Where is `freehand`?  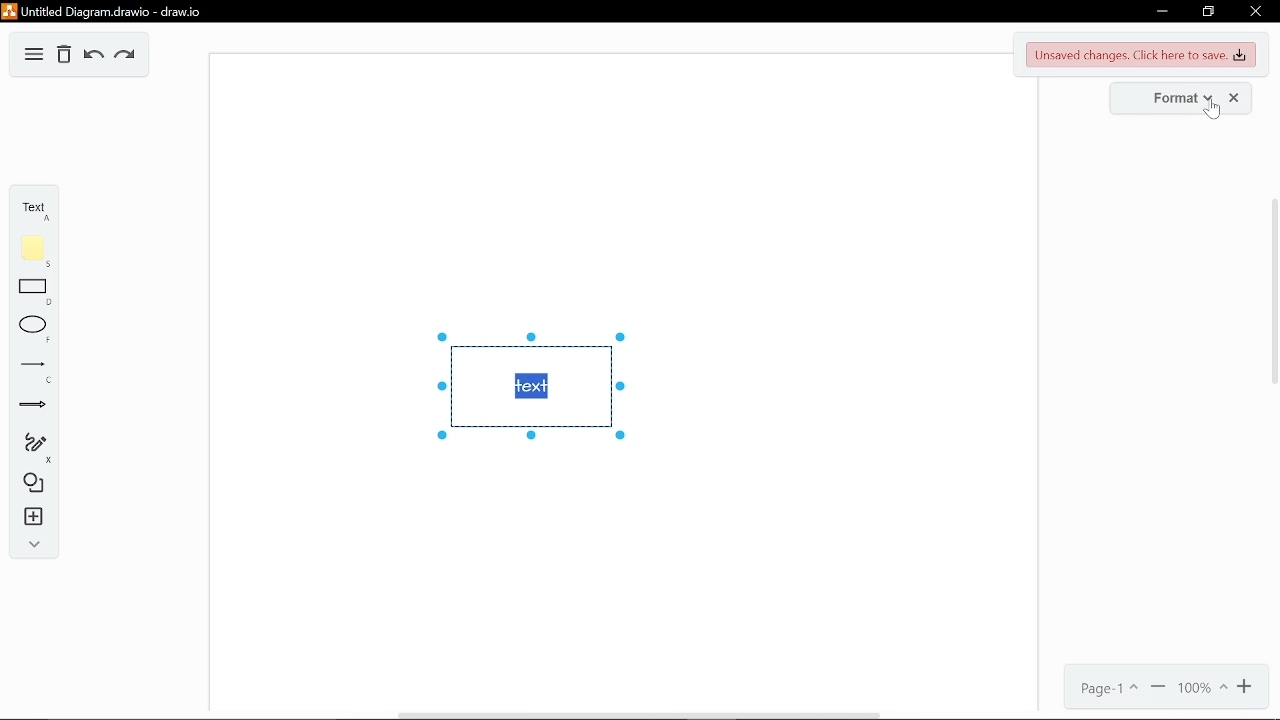 freehand is located at coordinates (28, 449).